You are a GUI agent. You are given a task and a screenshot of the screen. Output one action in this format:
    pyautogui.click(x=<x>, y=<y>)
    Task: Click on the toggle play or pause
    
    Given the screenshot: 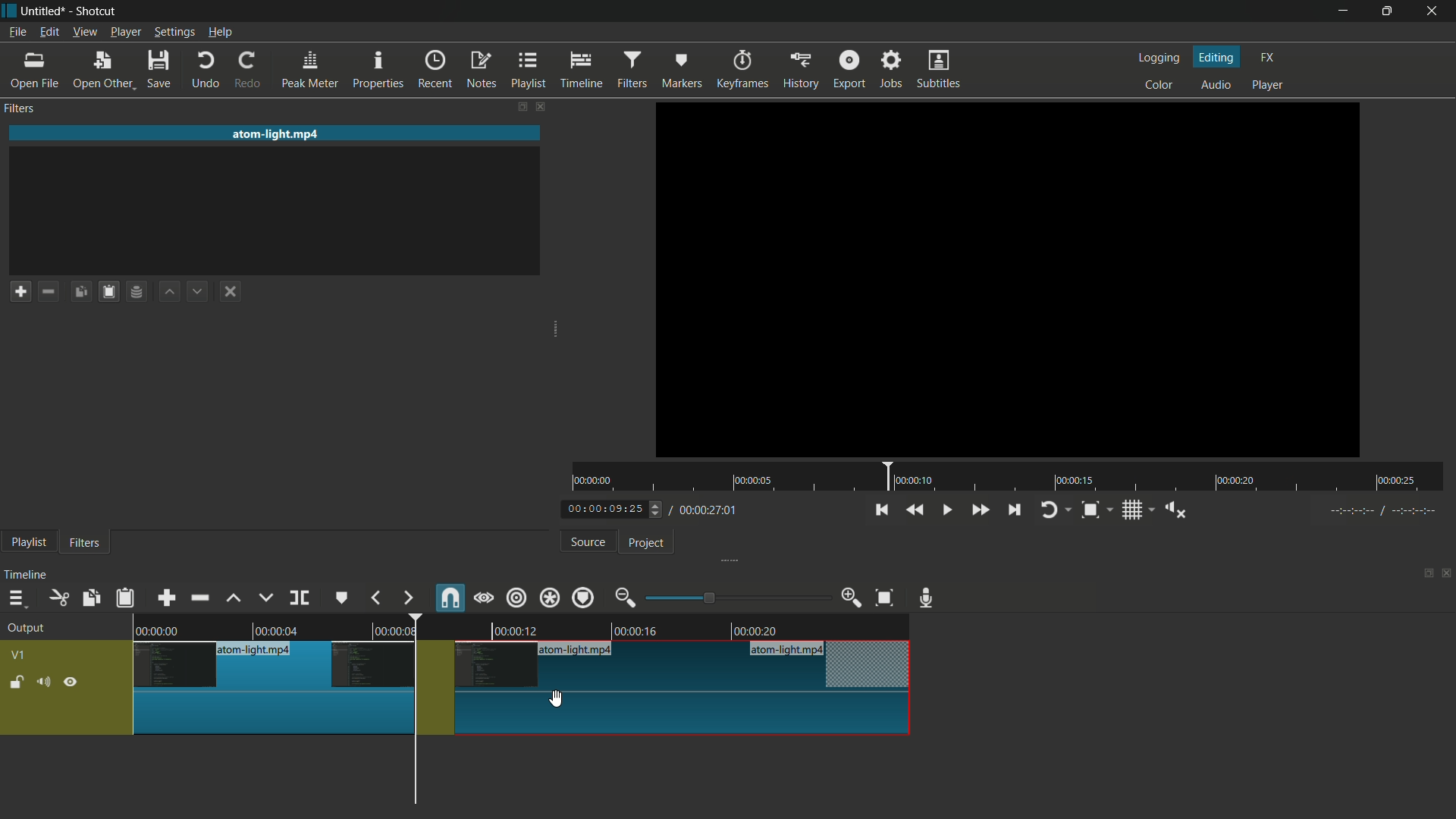 What is the action you would take?
    pyautogui.click(x=945, y=508)
    